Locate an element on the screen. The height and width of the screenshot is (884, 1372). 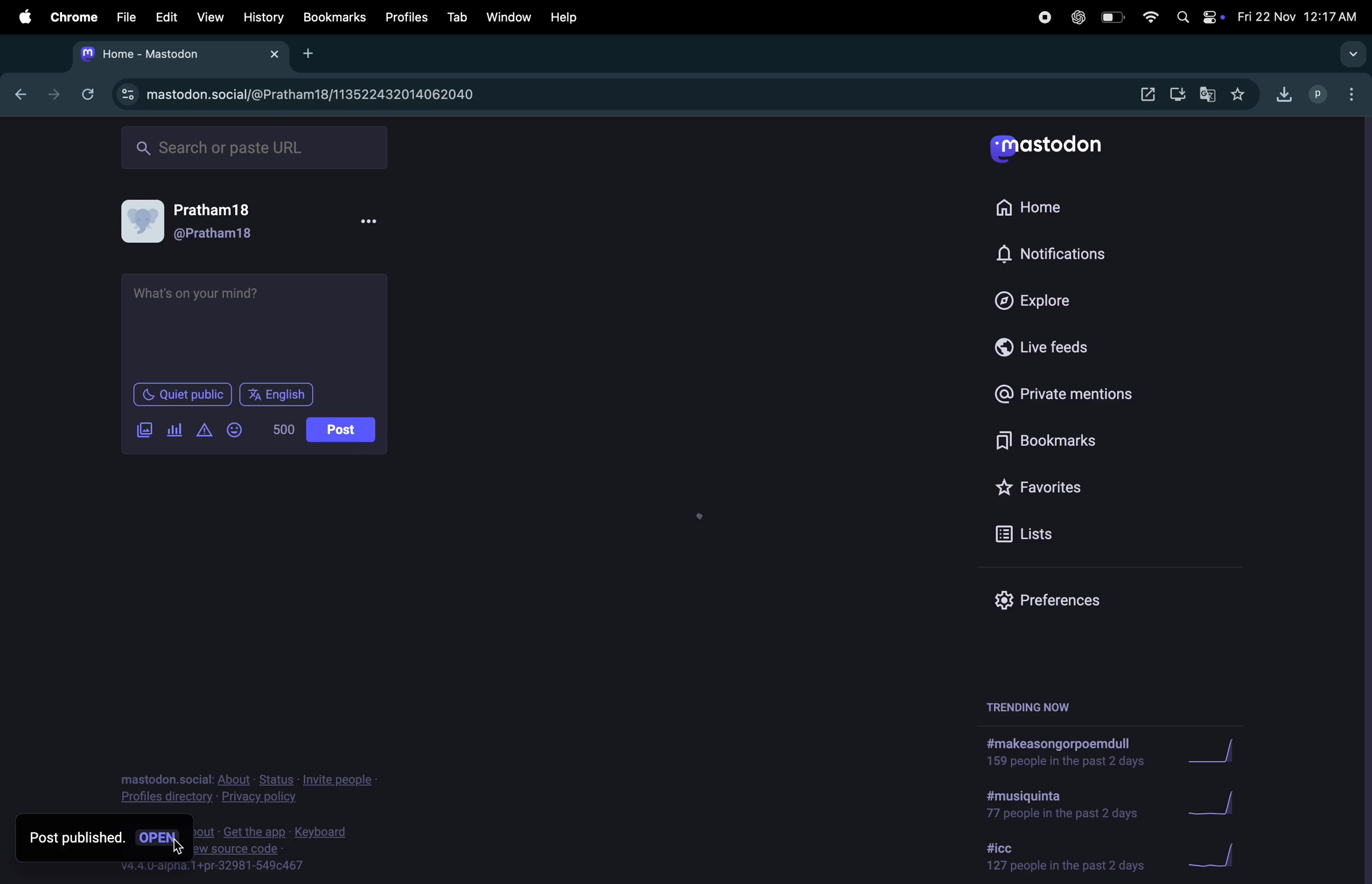
source code is located at coordinates (292, 849).